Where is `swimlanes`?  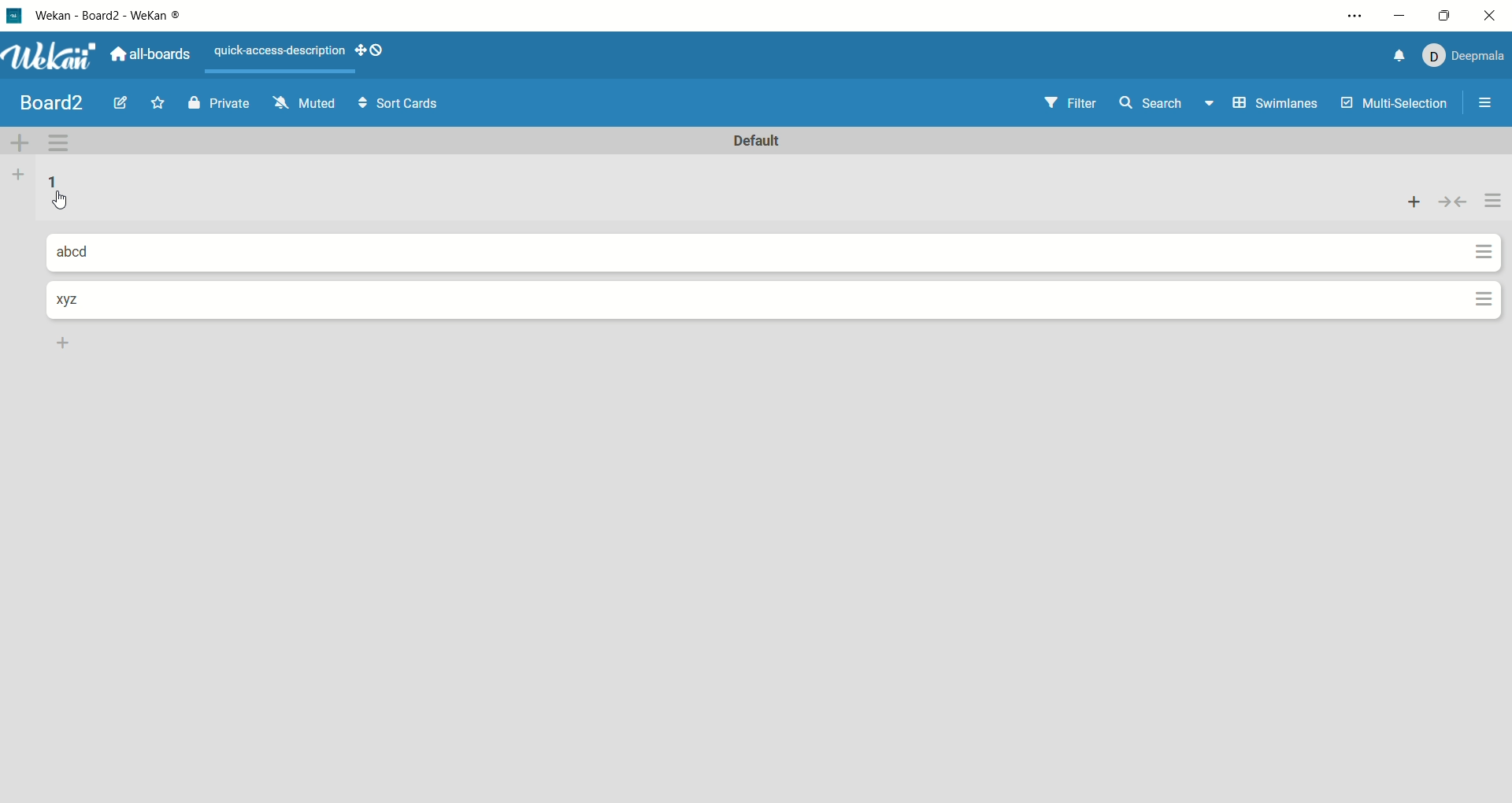 swimlanes is located at coordinates (1274, 105).